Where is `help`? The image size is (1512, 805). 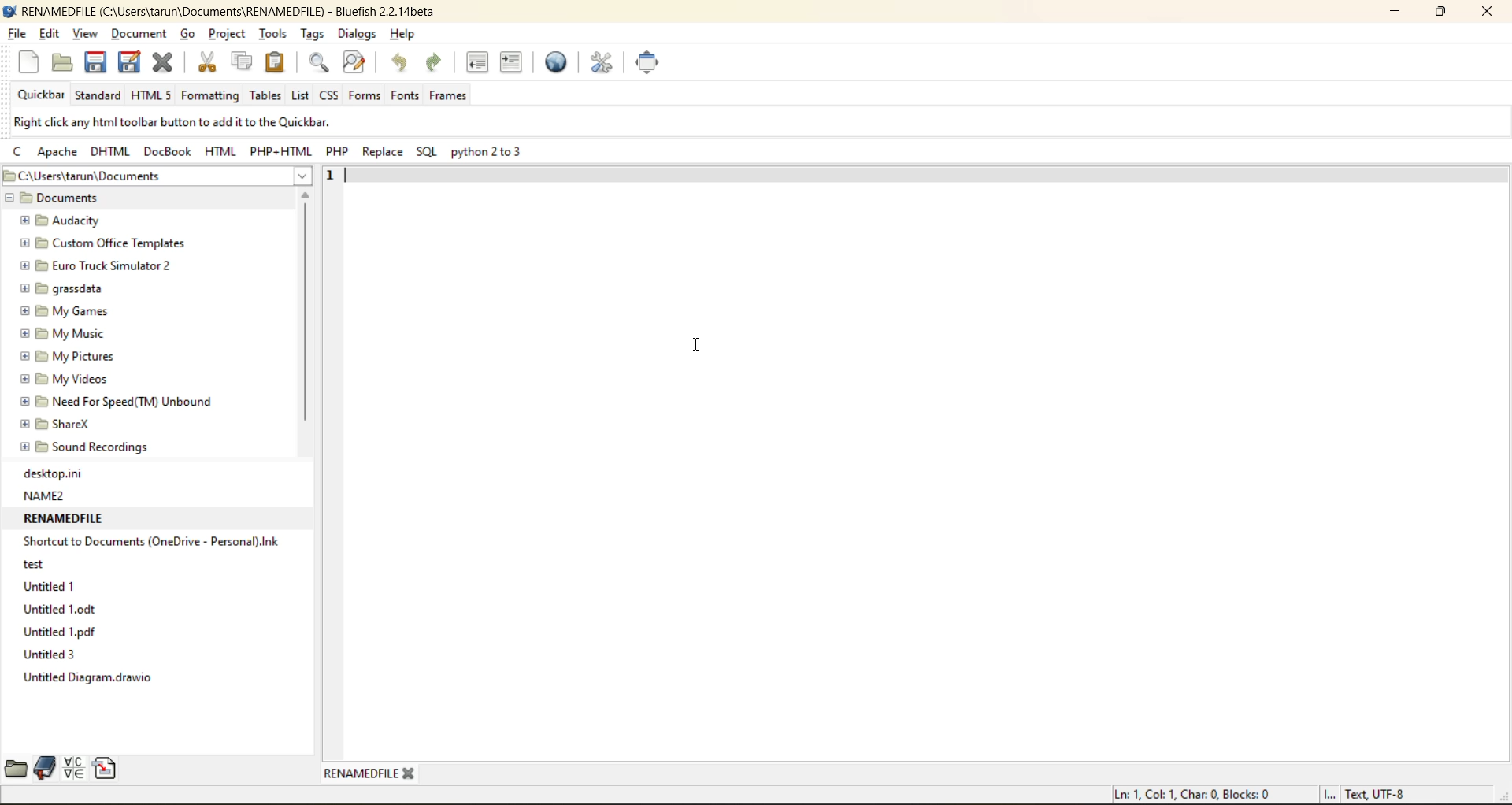
help is located at coordinates (406, 34).